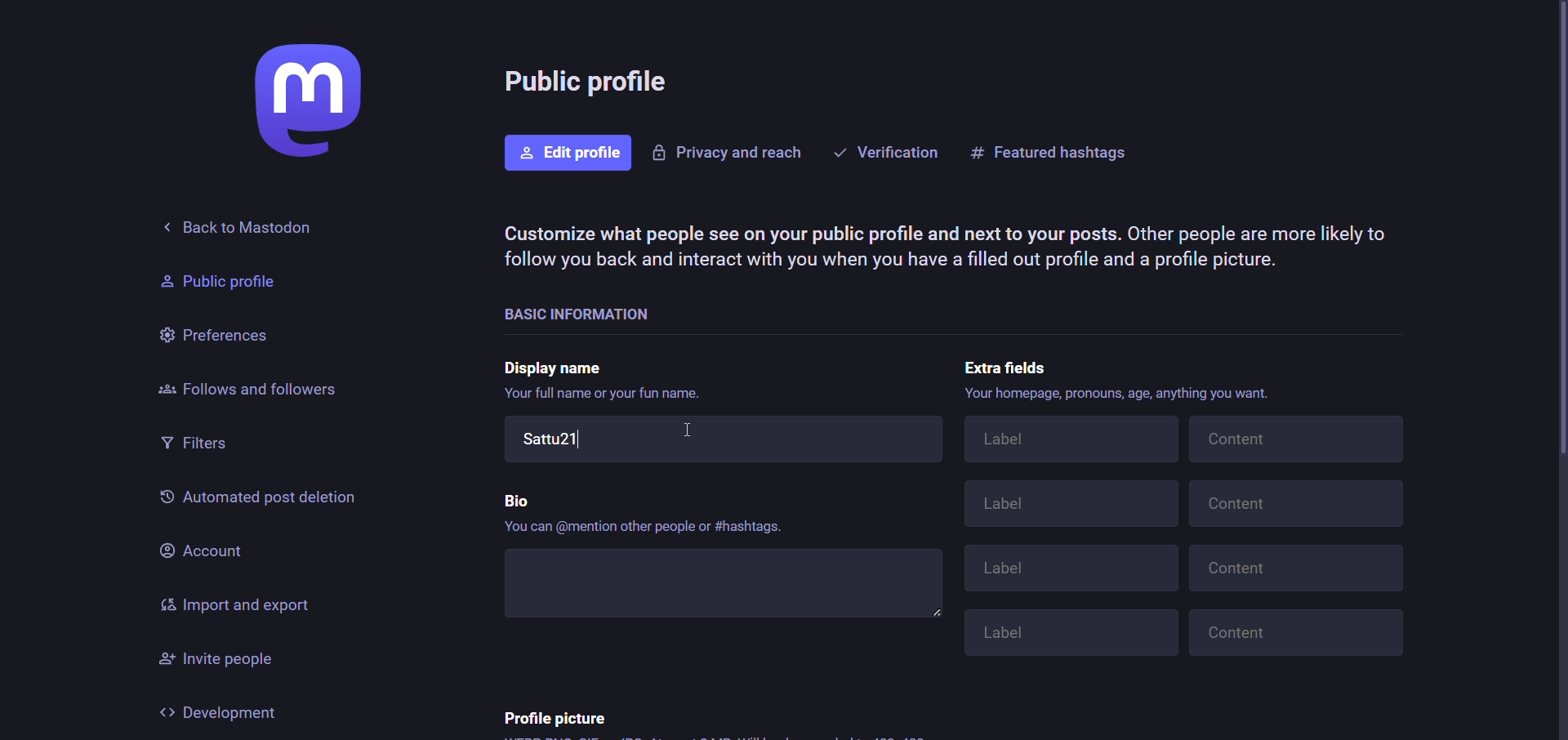  I want to click on Label, so click(1066, 438).